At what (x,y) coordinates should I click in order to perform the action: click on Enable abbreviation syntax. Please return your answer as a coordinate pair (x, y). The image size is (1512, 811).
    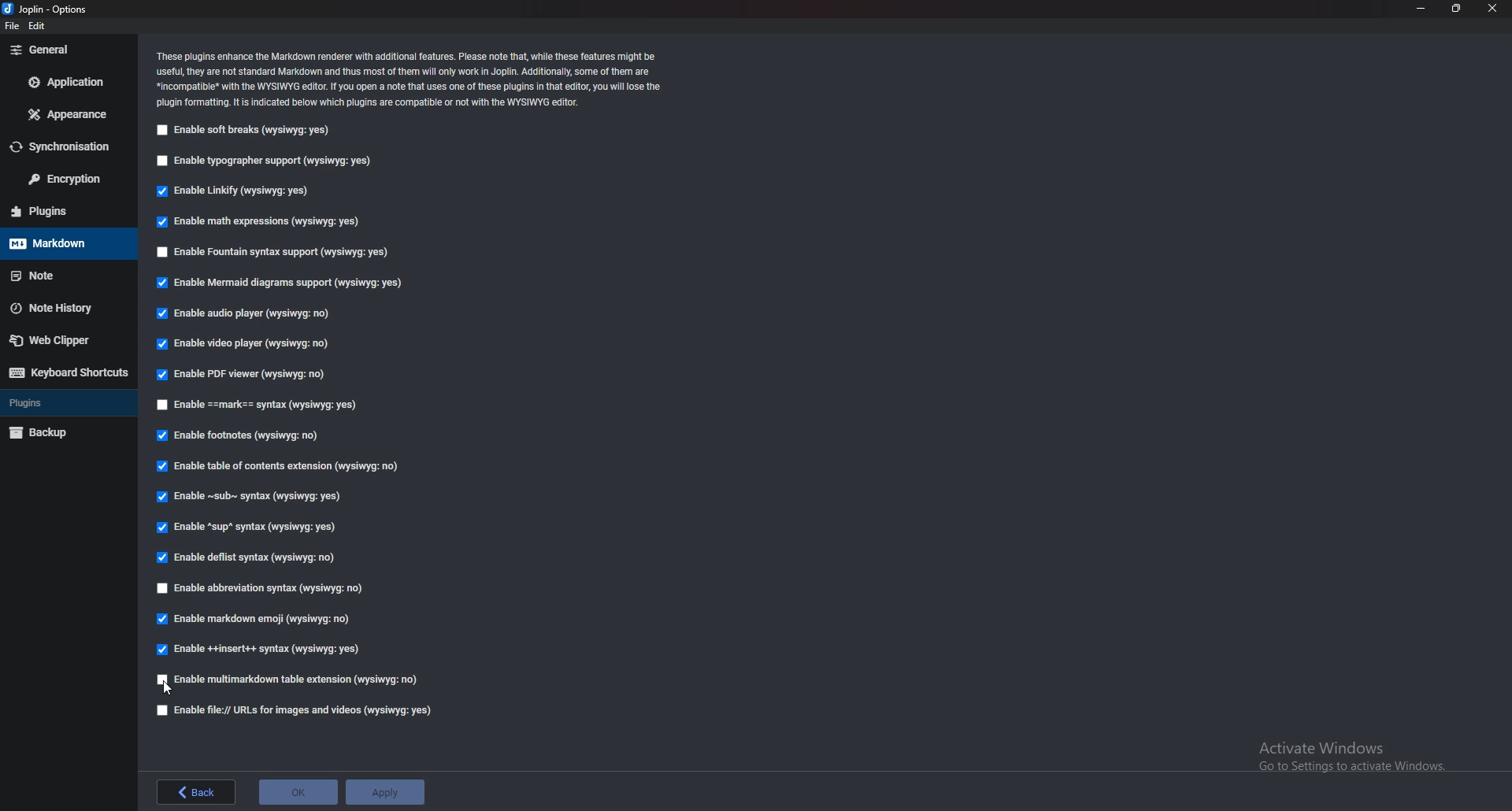
    Looking at the image, I should click on (287, 587).